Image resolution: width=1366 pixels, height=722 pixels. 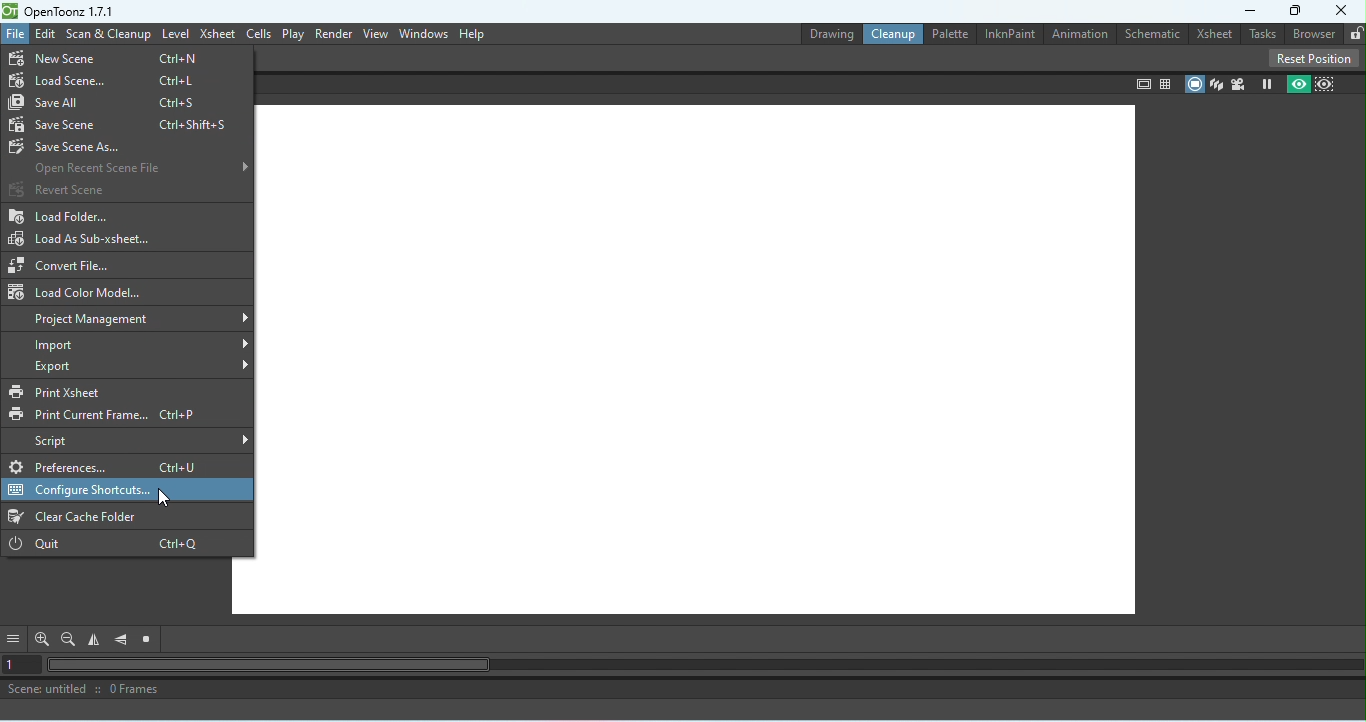 What do you see at coordinates (1355, 32) in the screenshot?
I see `Lock rooms tab` at bounding box center [1355, 32].